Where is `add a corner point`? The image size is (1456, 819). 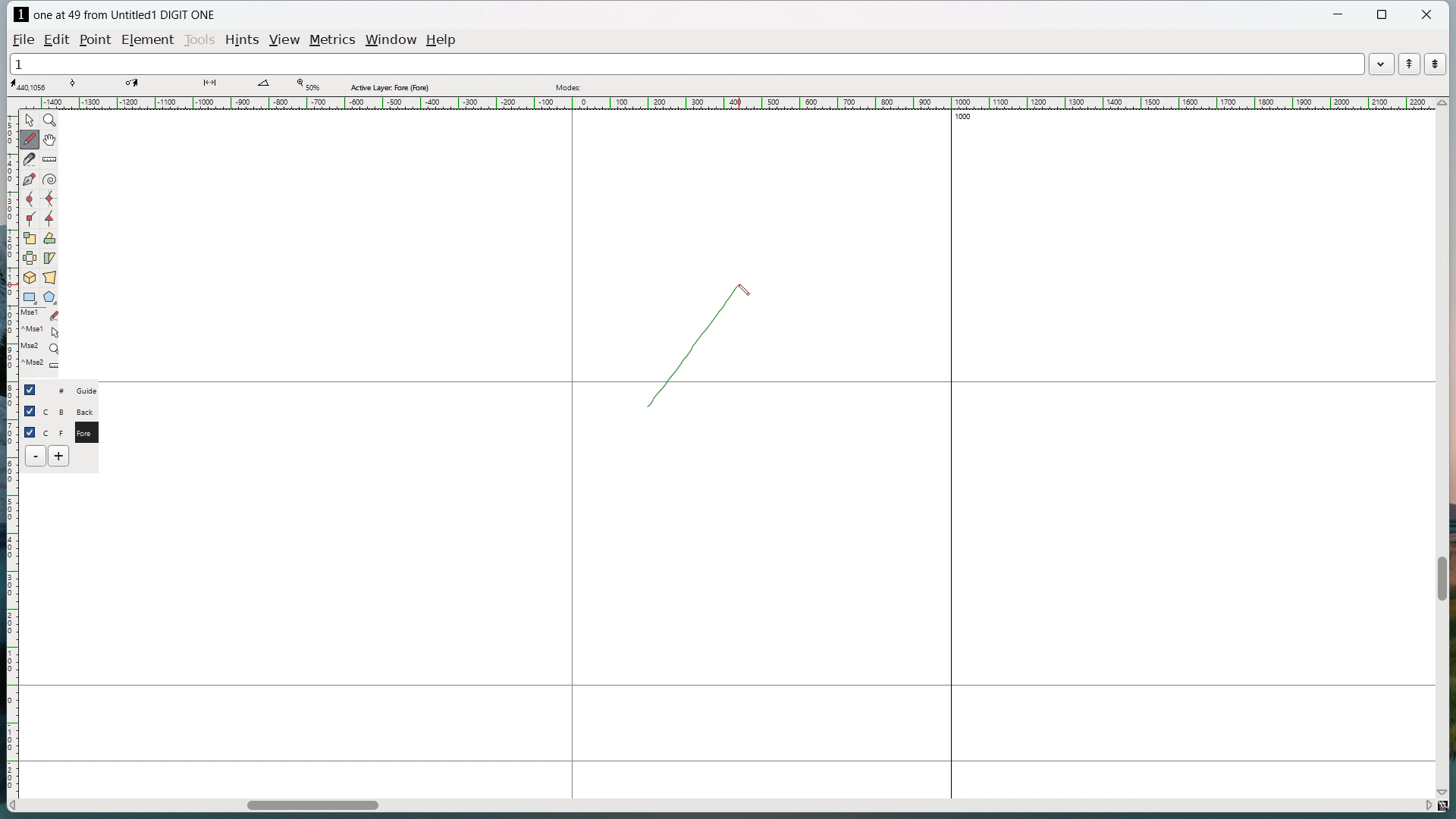
add a corner point is located at coordinates (30, 218).